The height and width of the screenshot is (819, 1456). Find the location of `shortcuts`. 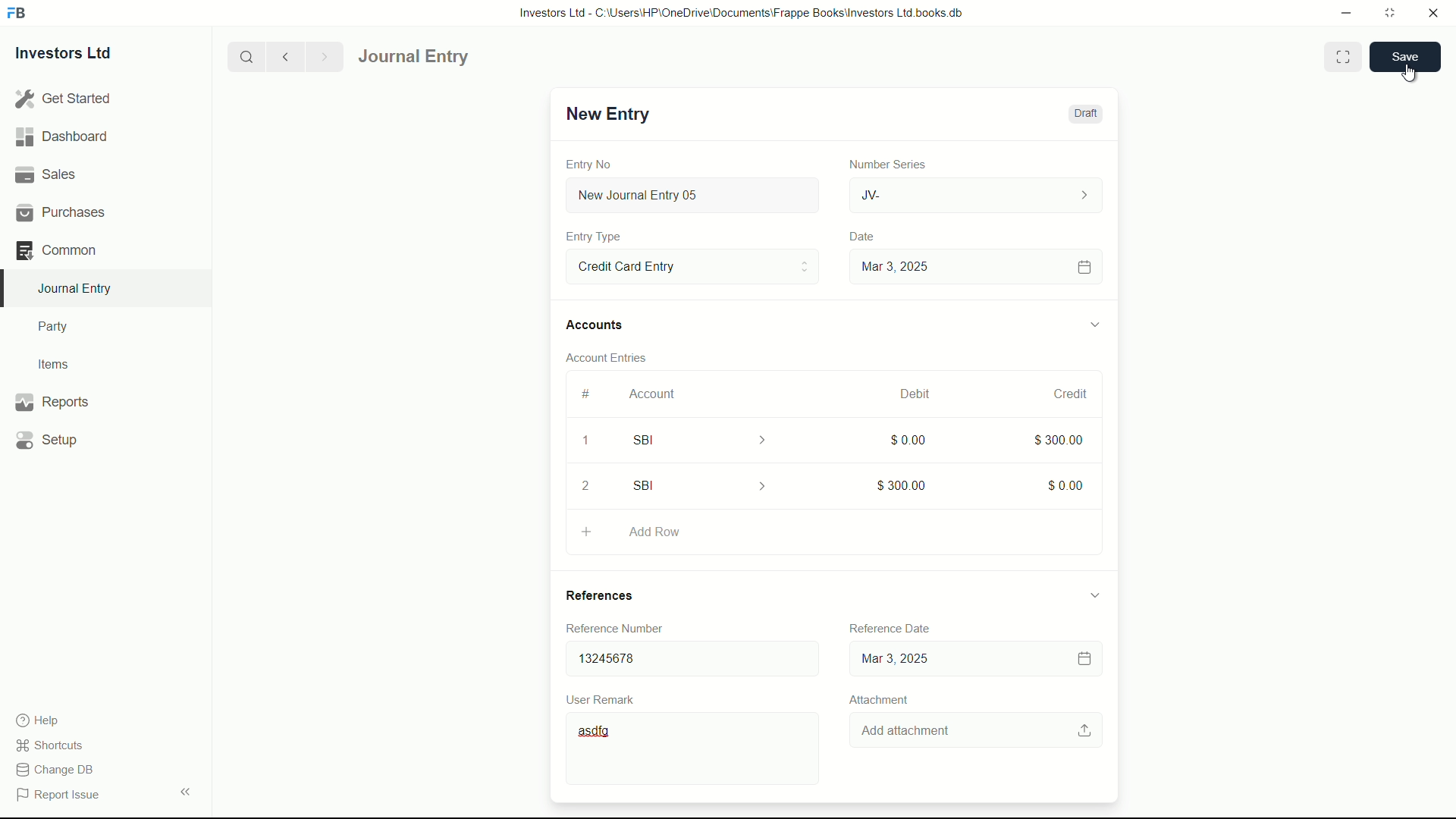

shortcuts is located at coordinates (53, 745).